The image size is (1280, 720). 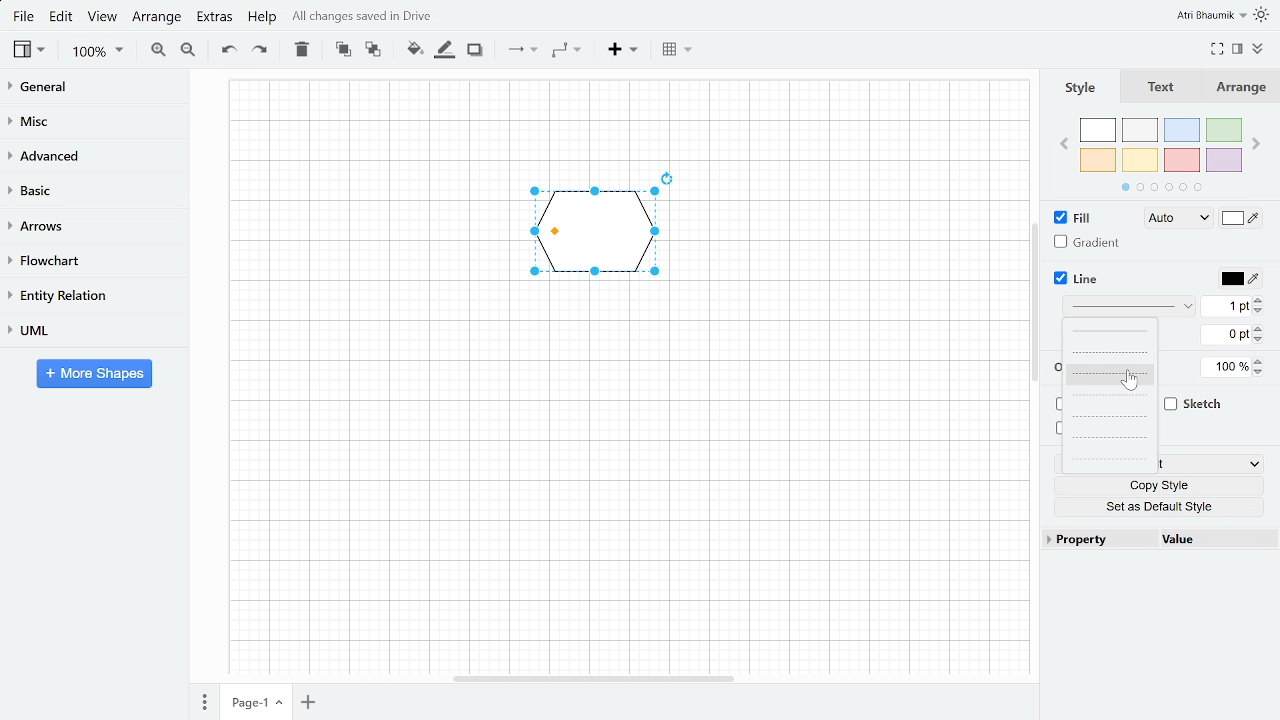 What do you see at coordinates (374, 51) in the screenshot?
I see `To back` at bounding box center [374, 51].